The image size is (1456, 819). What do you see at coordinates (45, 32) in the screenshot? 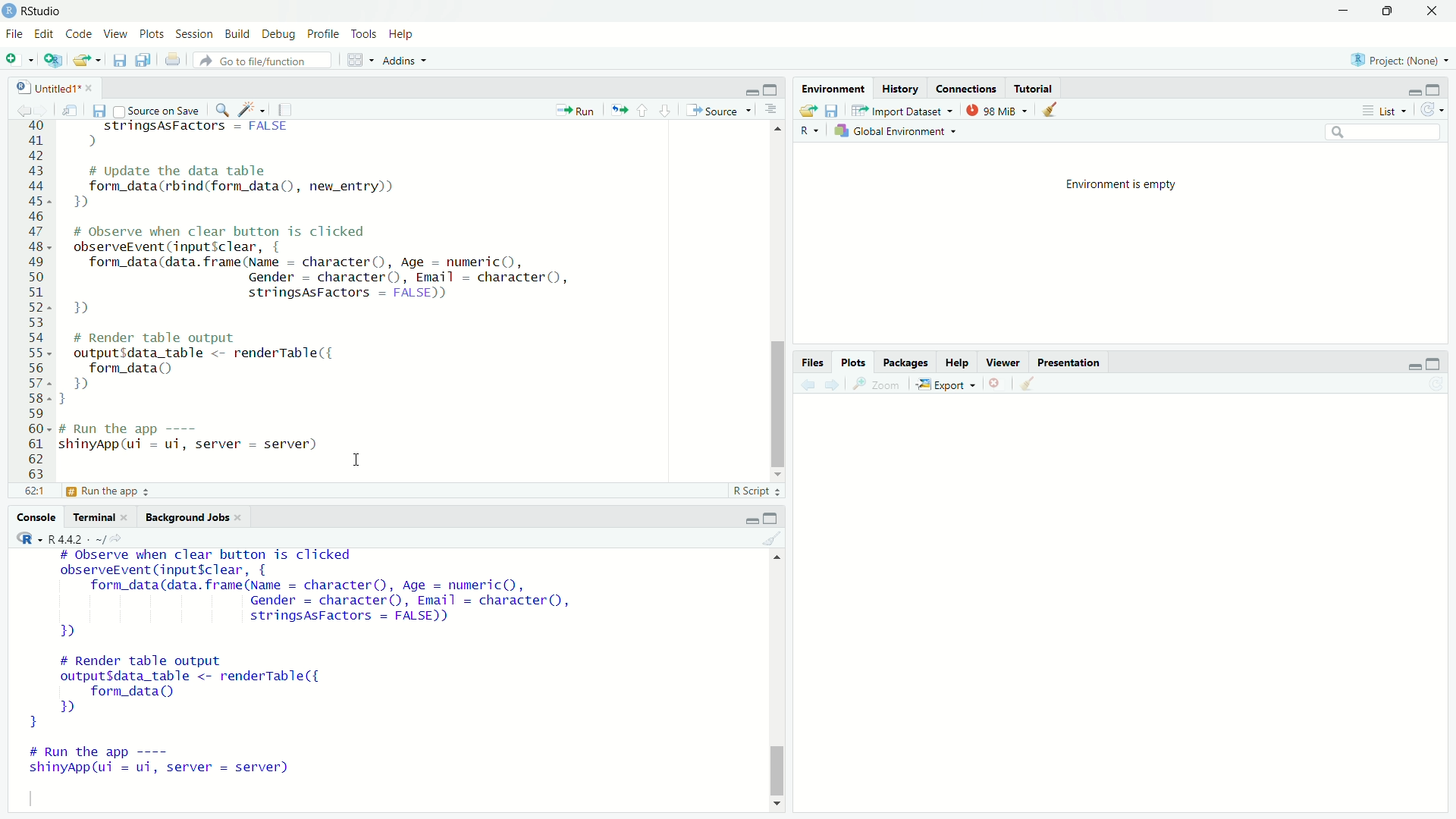
I see `Edit` at bounding box center [45, 32].